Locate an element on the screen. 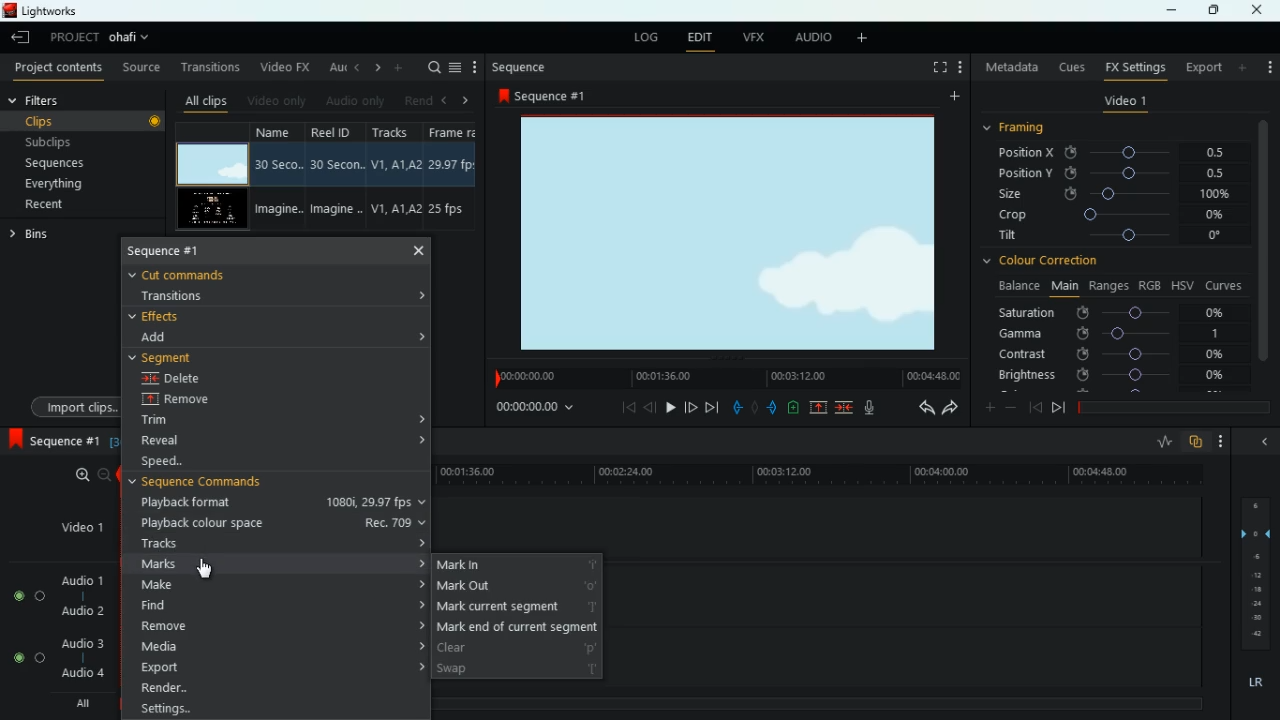  end is located at coordinates (712, 406).